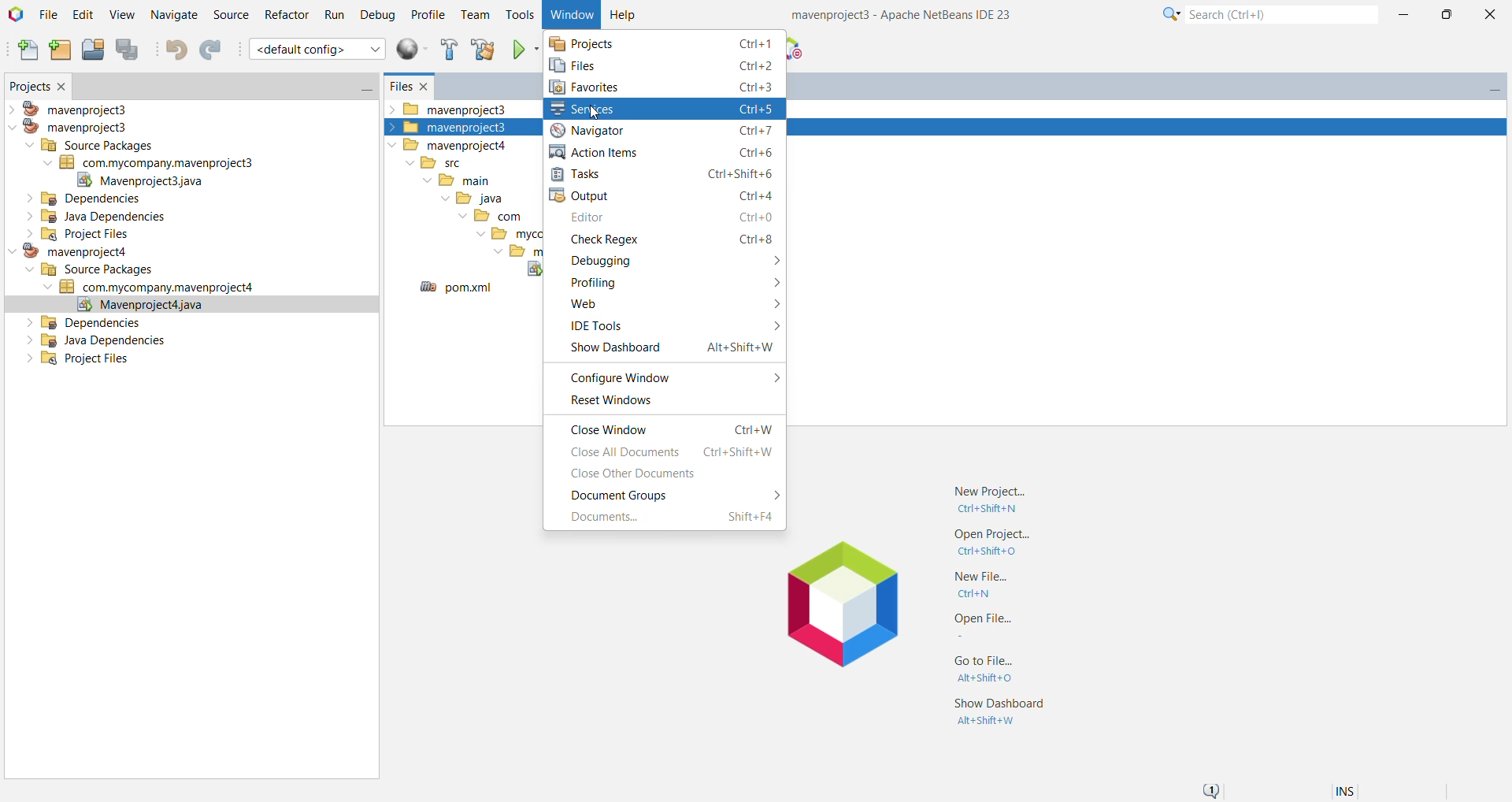 Image resolution: width=1512 pixels, height=802 pixels. I want to click on pom.xml, so click(456, 289).